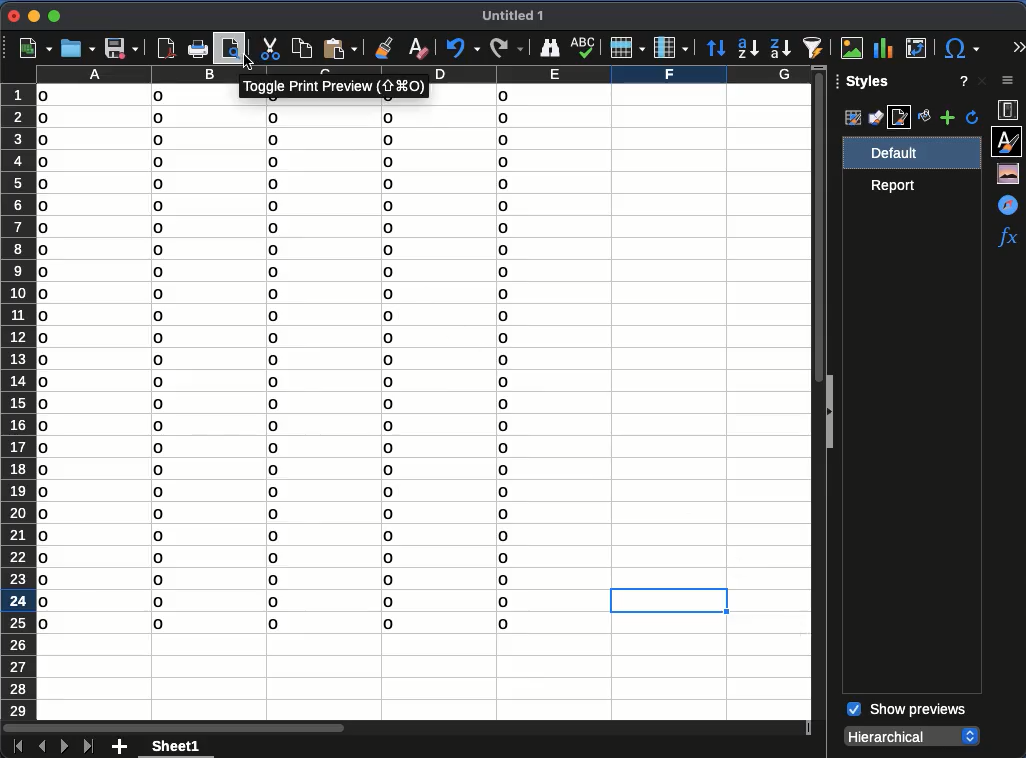  What do you see at coordinates (1009, 110) in the screenshot?
I see `properties` at bounding box center [1009, 110].